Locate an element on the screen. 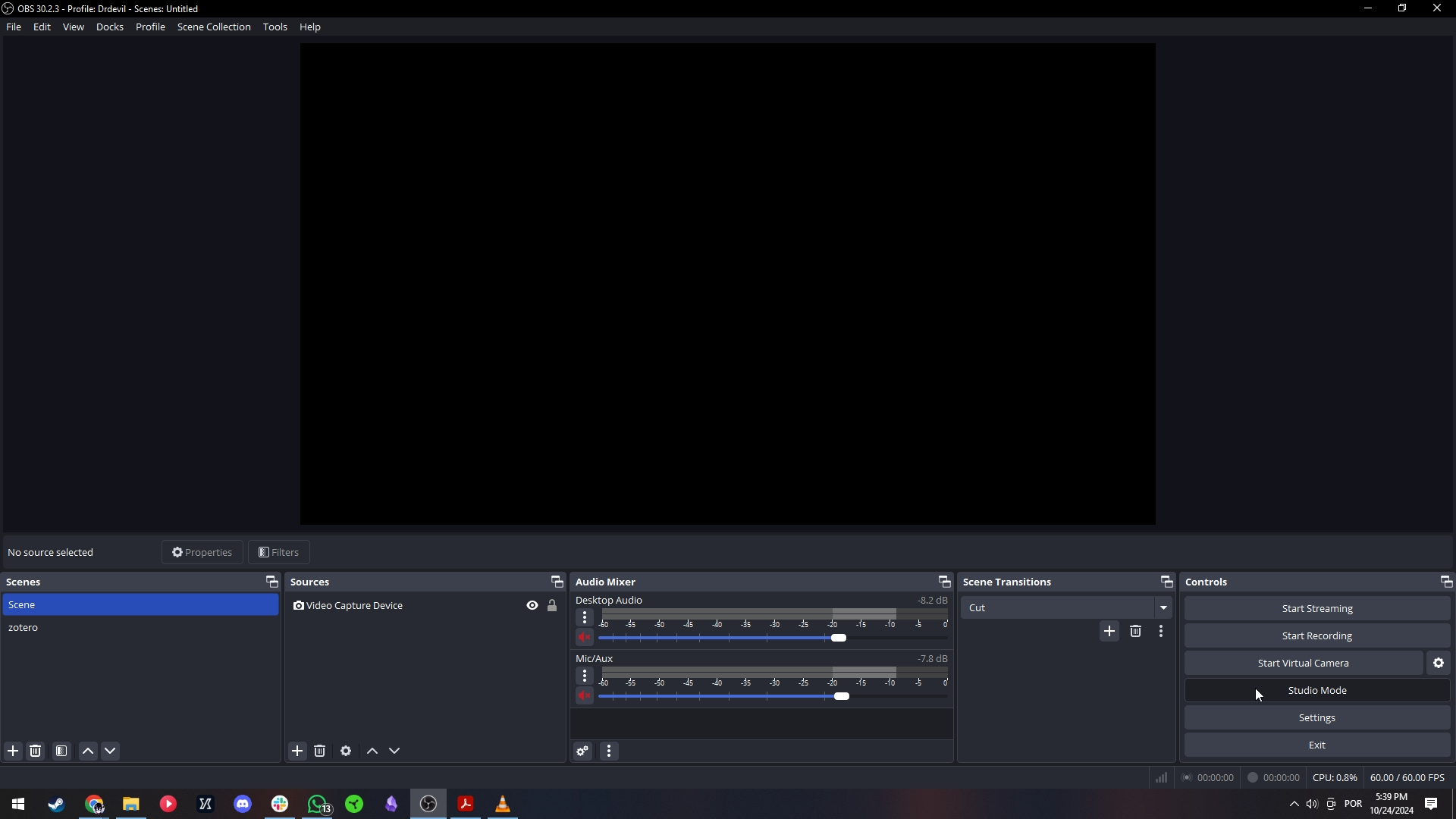 This screenshot has width=1456, height=819. Selected source is located at coordinates (55, 553).